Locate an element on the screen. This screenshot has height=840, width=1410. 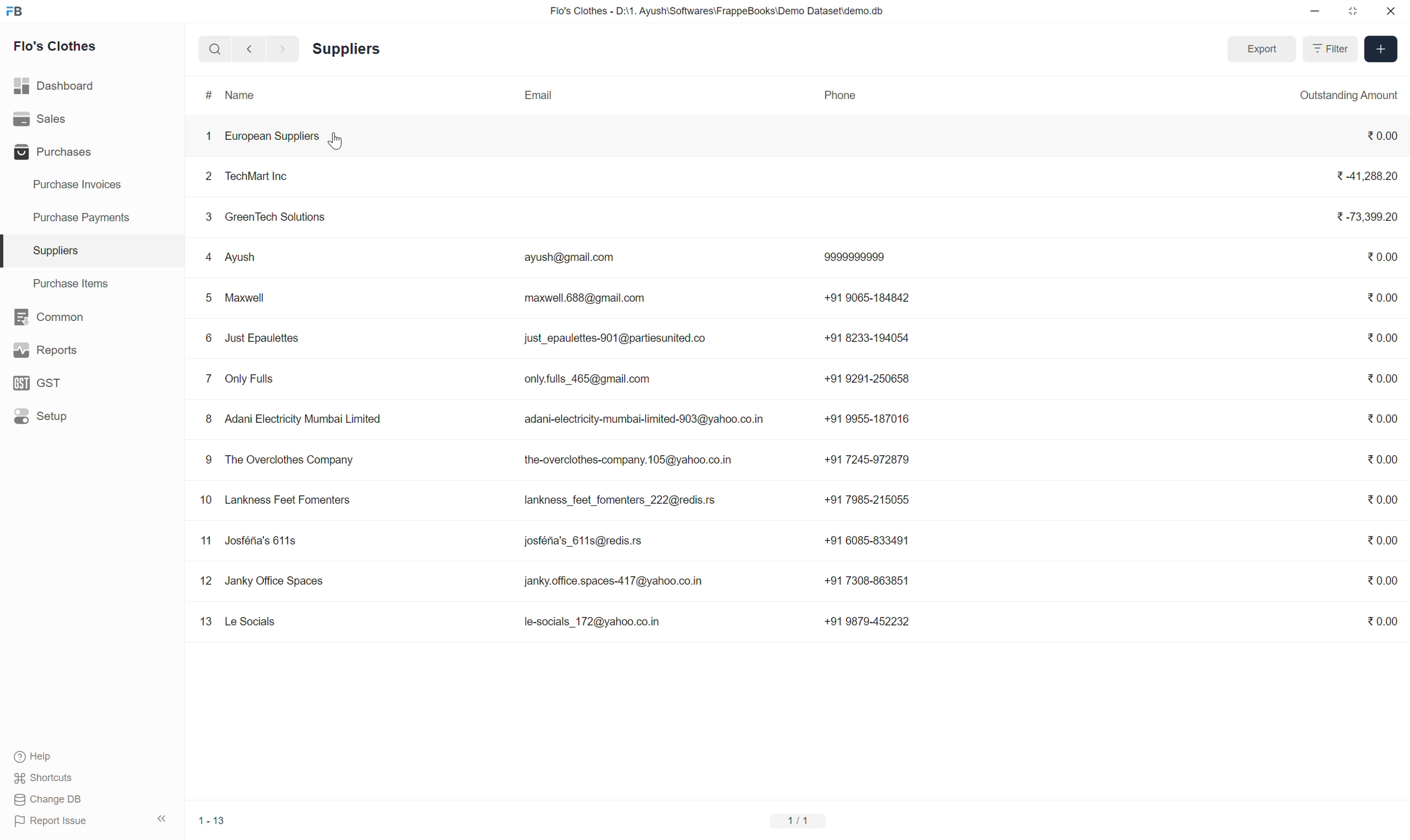
> Maxwell is located at coordinates (248, 298).